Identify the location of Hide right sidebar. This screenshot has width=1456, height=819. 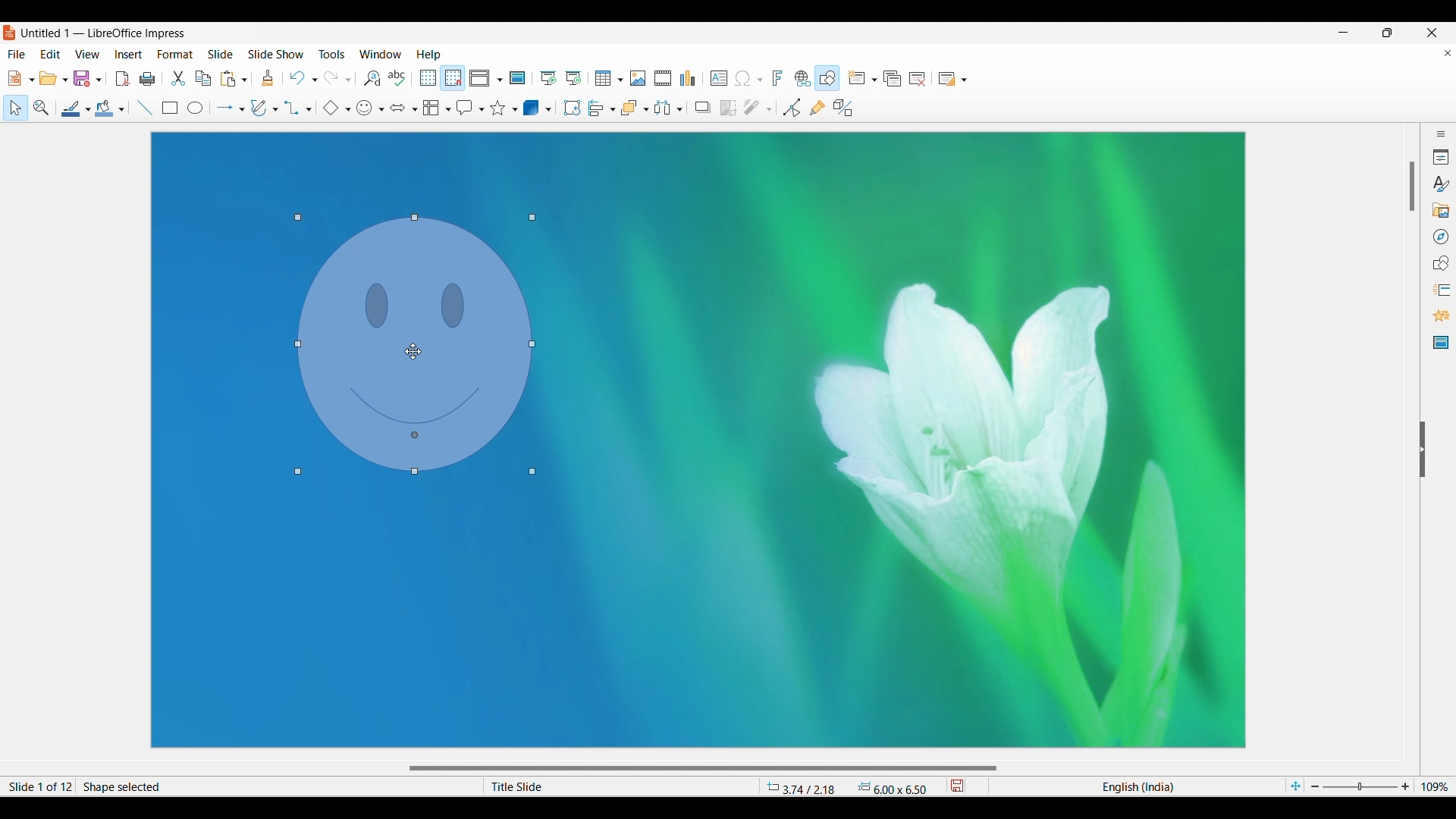
(1422, 450).